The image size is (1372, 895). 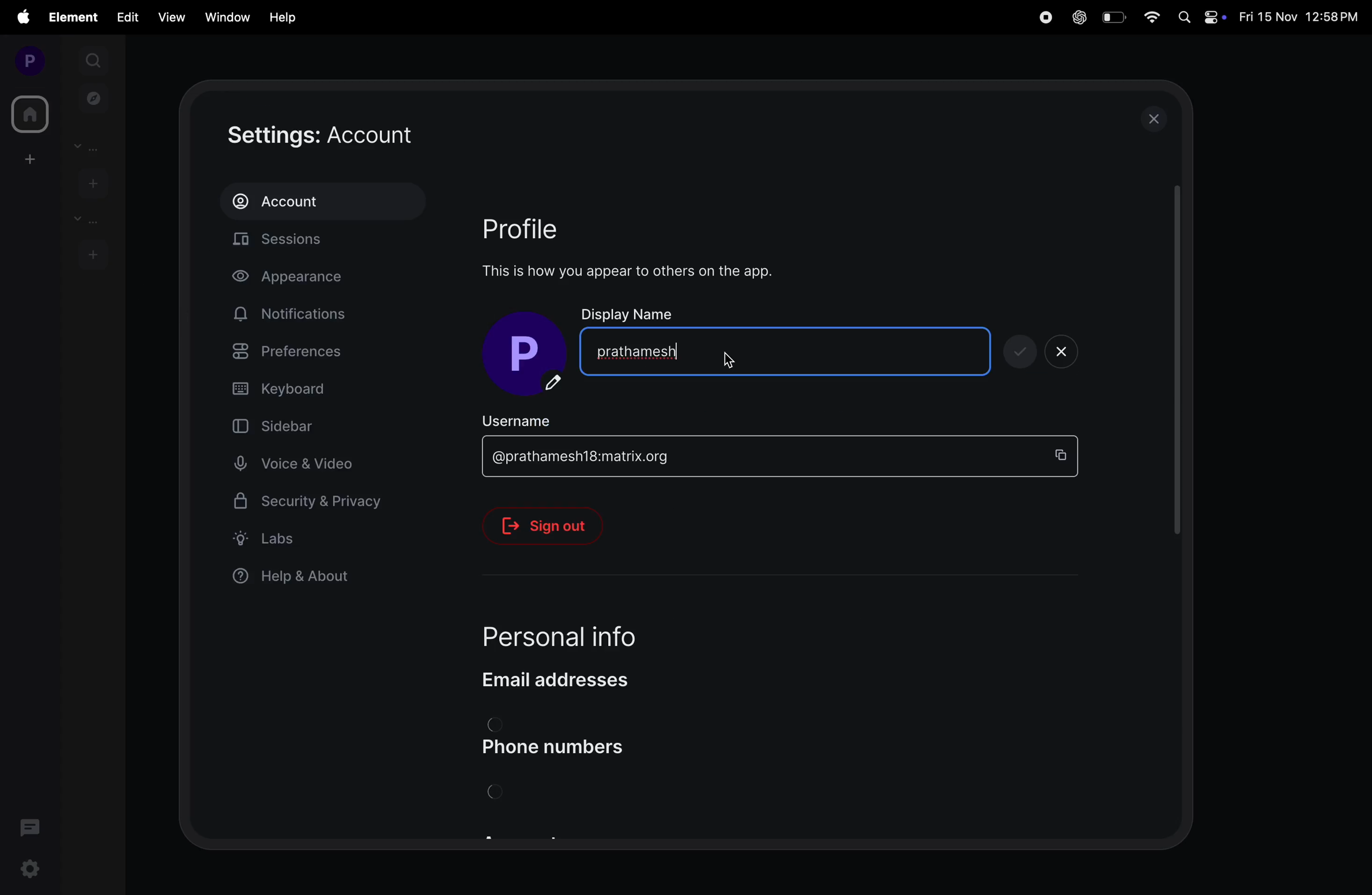 I want to click on name, so click(x=832, y=350).